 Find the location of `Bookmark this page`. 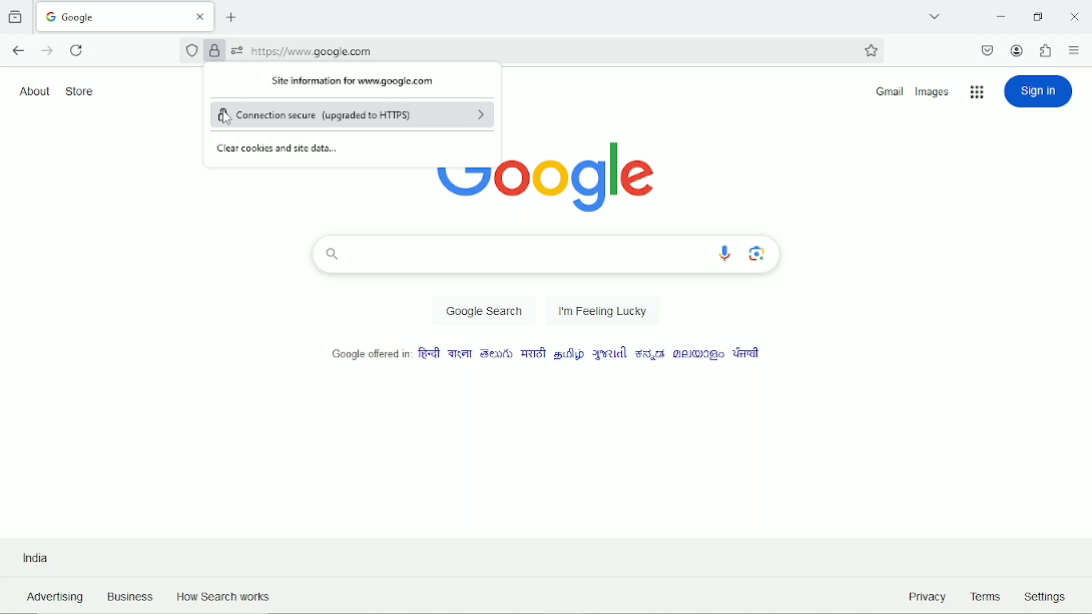

Bookmark this page is located at coordinates (871, 51).